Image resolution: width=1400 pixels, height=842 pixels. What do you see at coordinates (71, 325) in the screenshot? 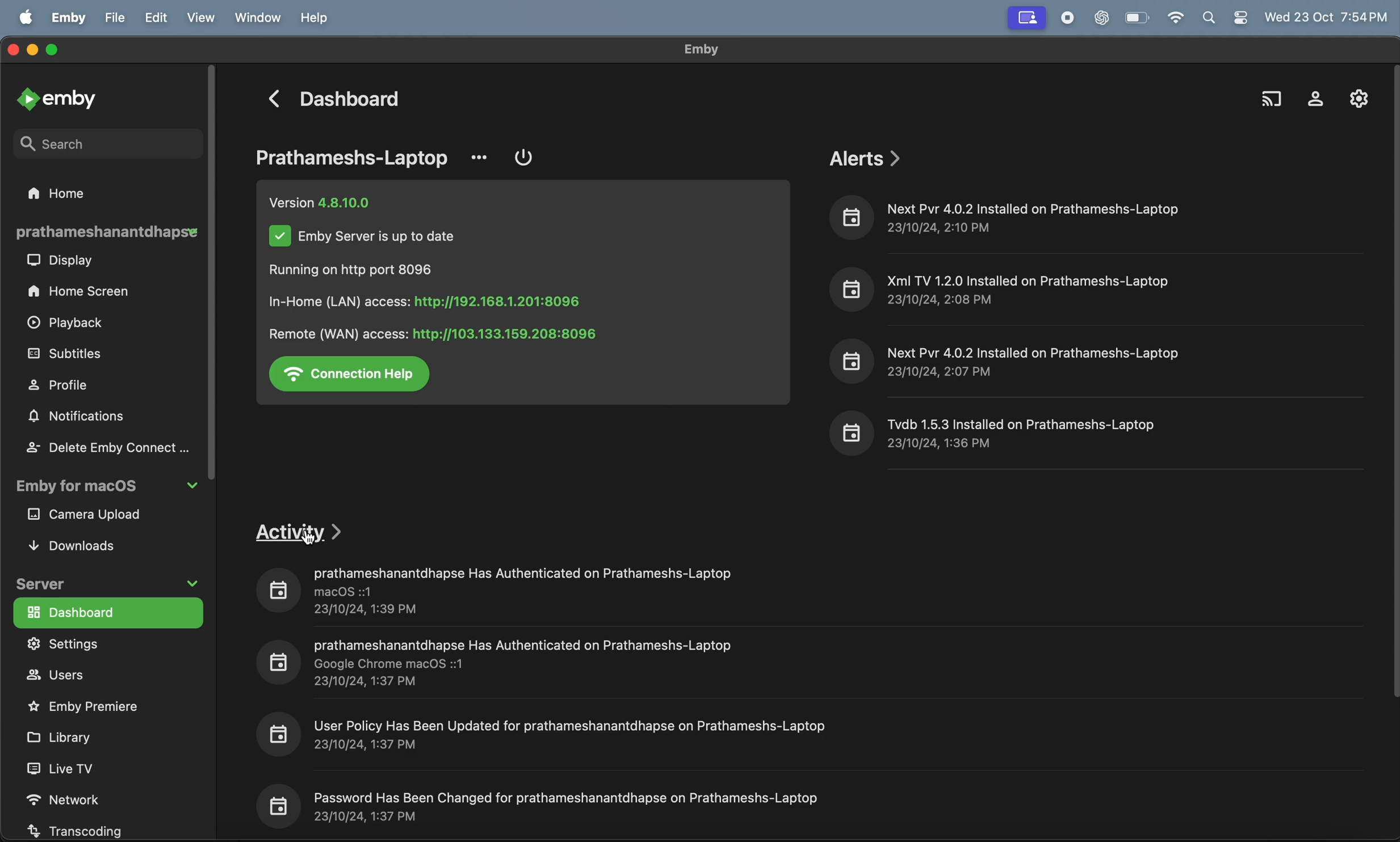
I see `play back` at bounding box center [71, 325].